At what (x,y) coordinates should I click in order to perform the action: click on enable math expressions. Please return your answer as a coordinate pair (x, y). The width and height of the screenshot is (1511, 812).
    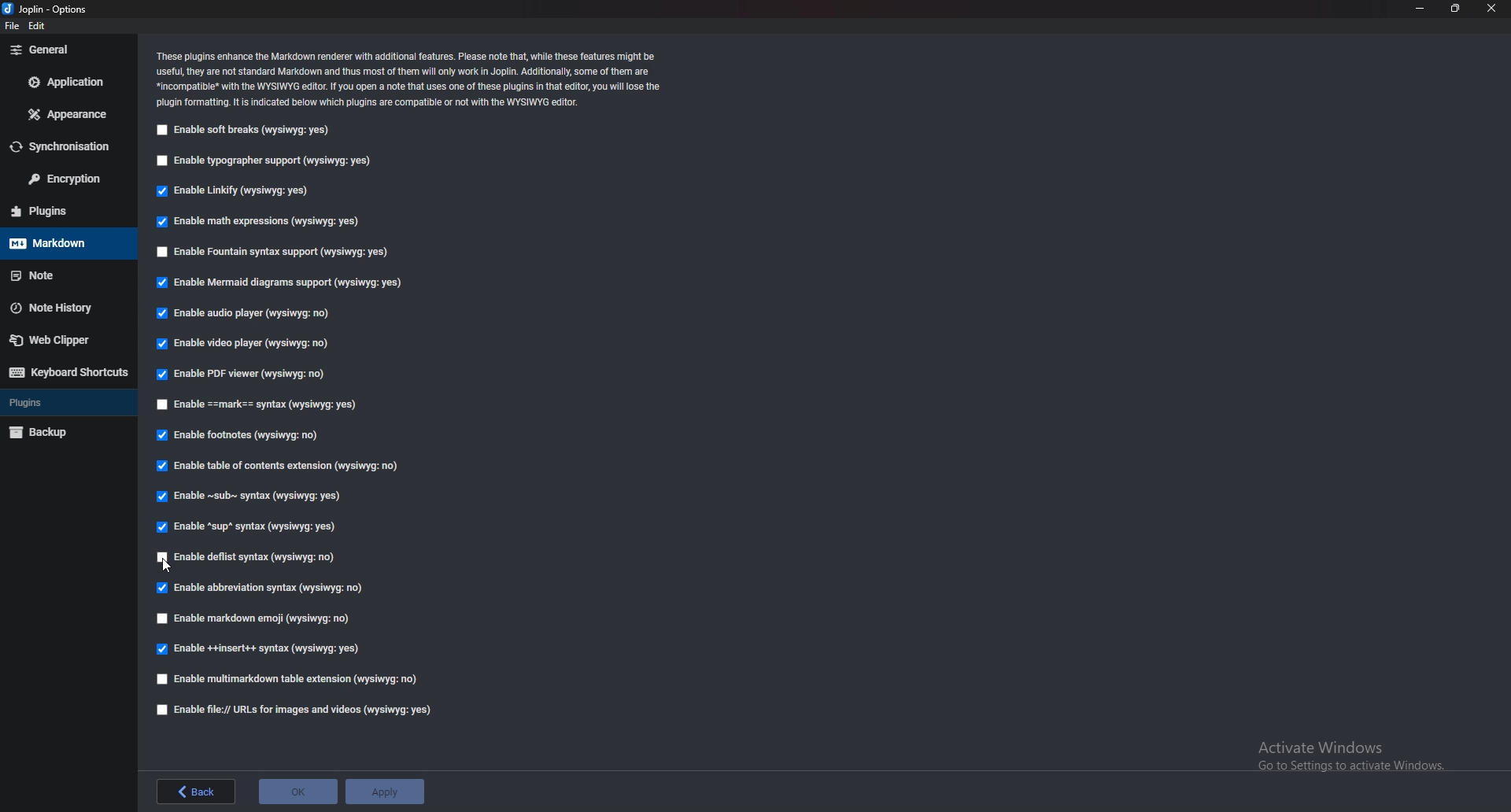
    Looking at the image, I should click on (262, 222).